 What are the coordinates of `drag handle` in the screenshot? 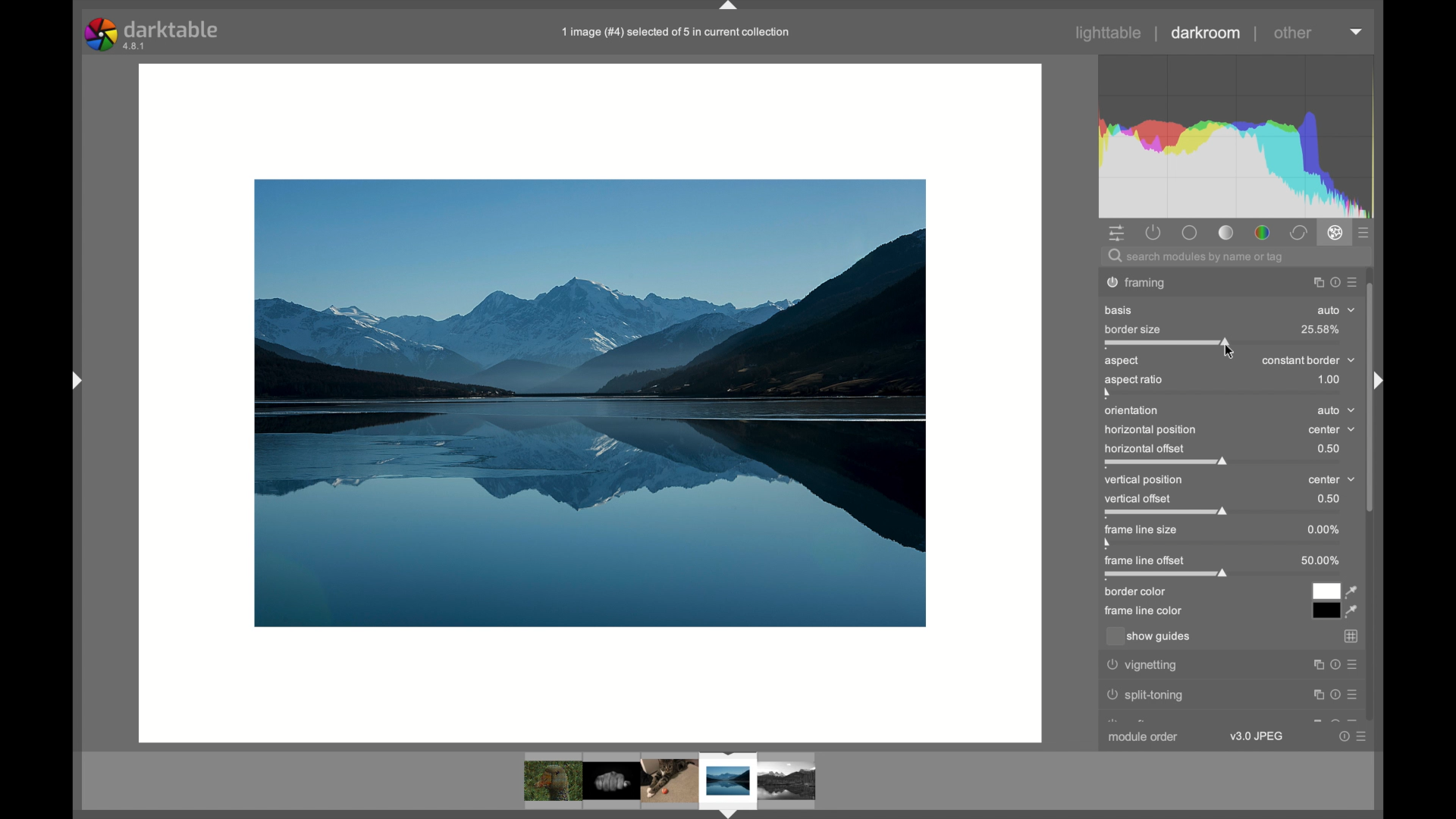 It's located at (74, 381).